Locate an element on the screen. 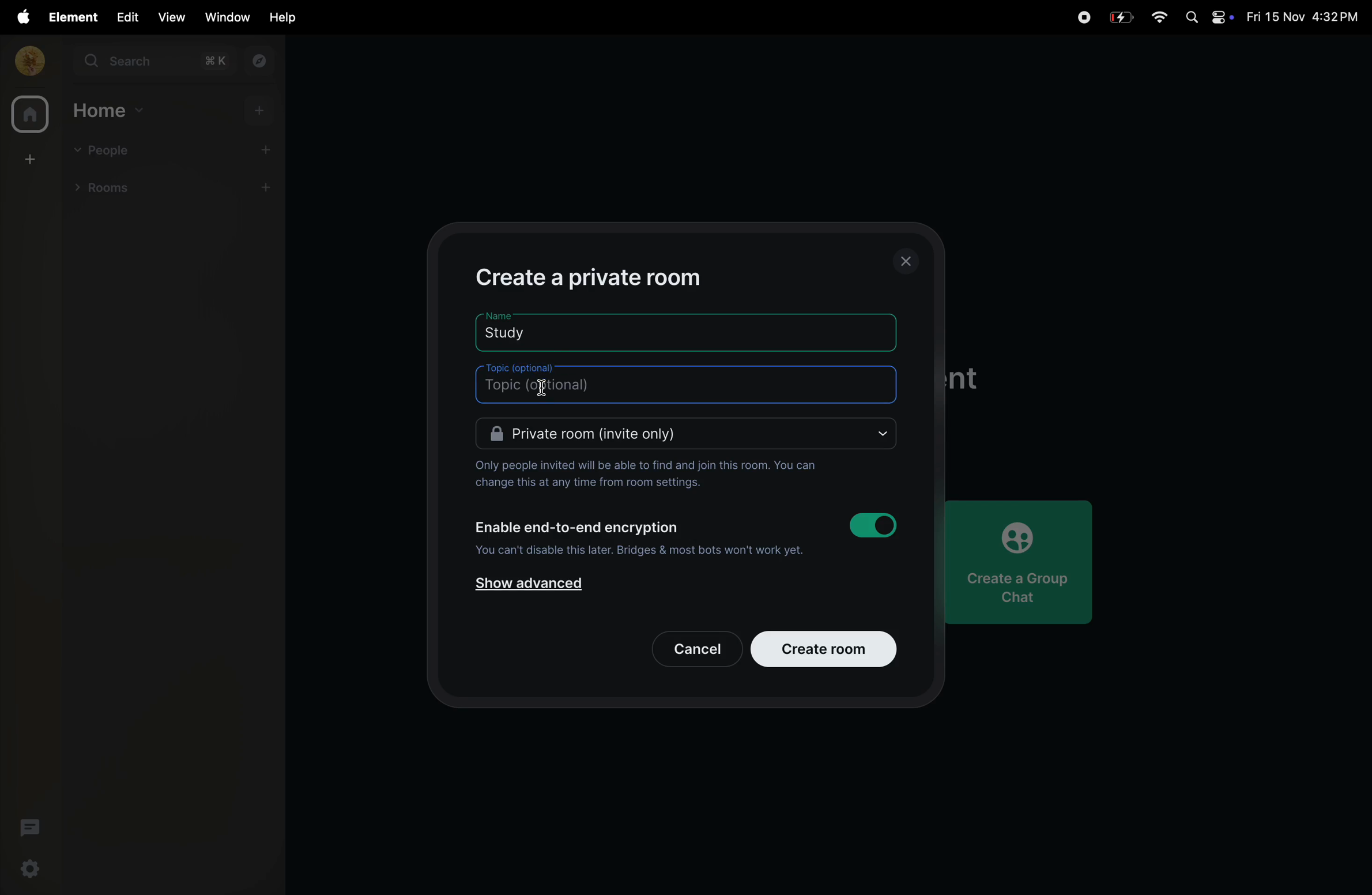  search bar is located at coordinates (156, 63).